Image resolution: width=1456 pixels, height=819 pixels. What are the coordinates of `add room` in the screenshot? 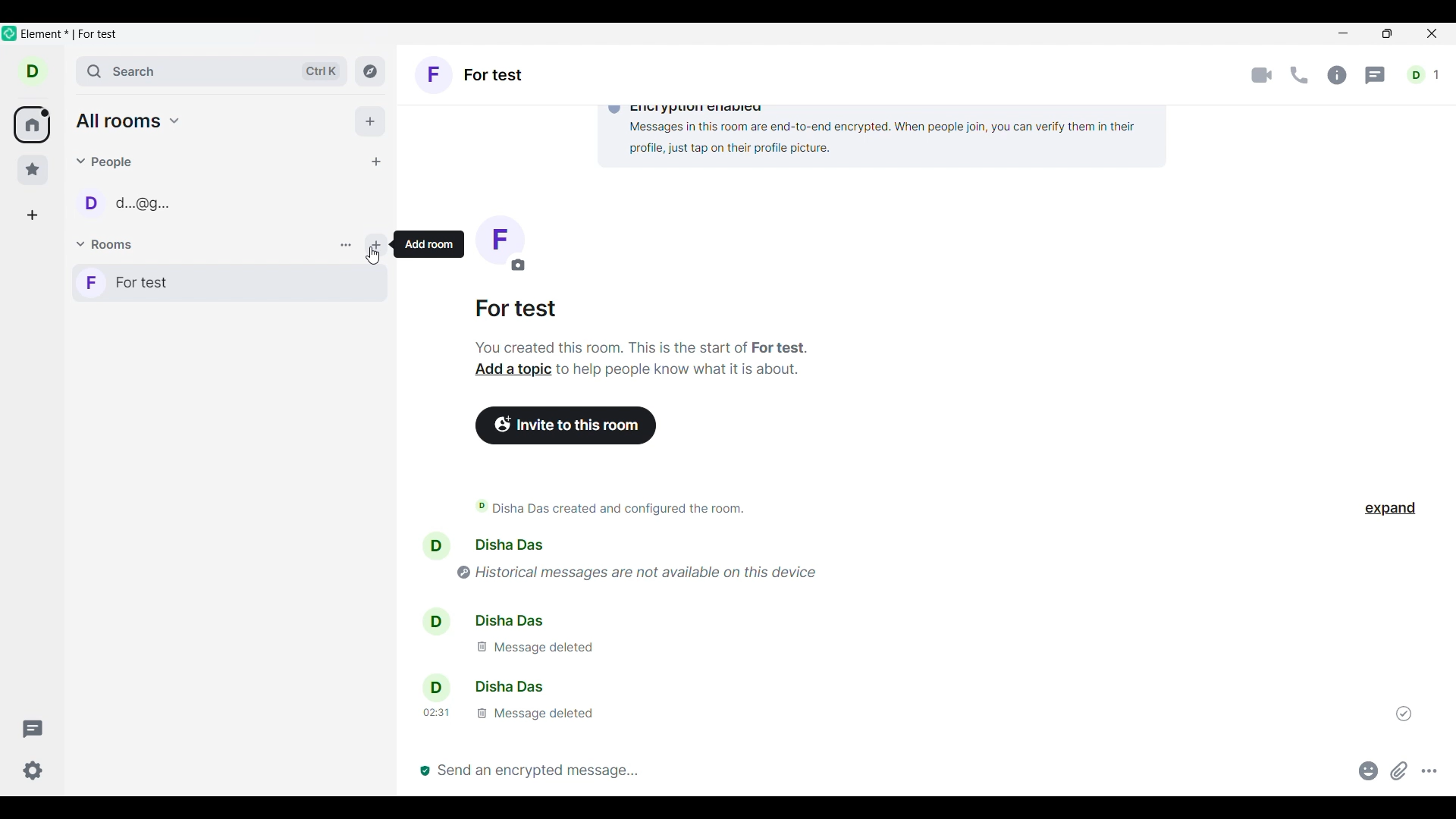 It's located at (427, 245).